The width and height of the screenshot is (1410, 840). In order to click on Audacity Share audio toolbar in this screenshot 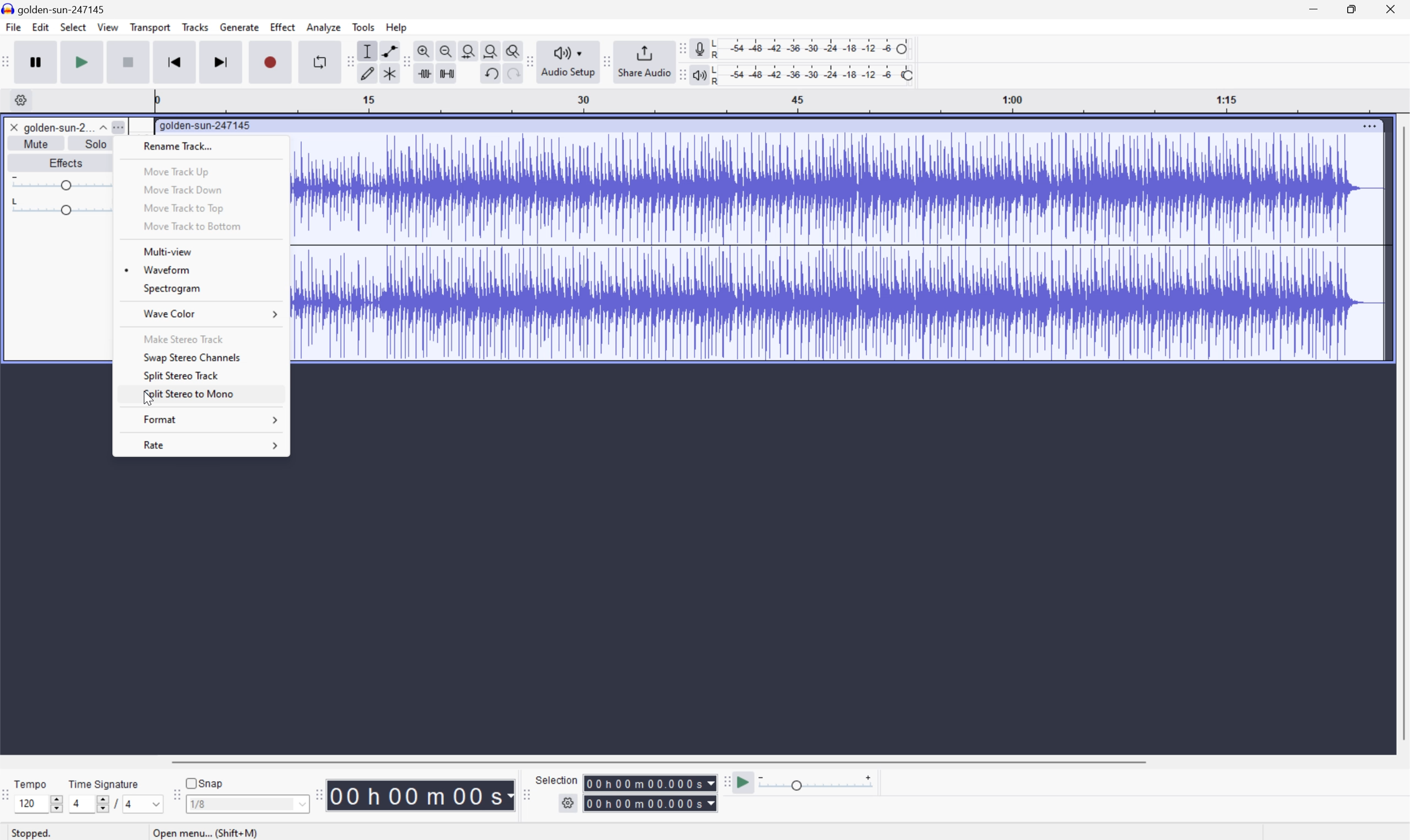, I will do `click(604, 59)`.